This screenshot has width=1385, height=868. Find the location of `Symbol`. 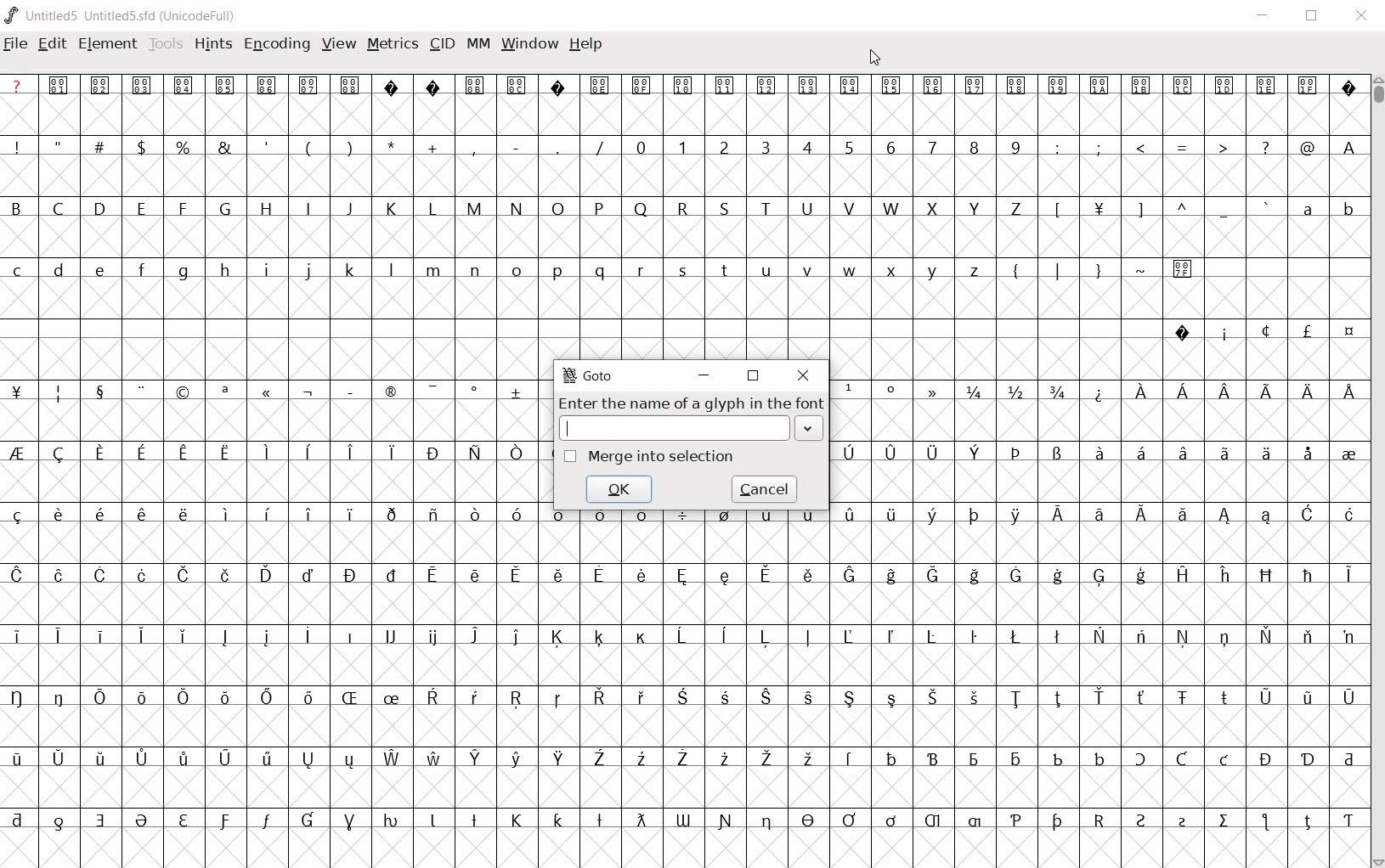

Symbol is located at coordinates (935, 86).